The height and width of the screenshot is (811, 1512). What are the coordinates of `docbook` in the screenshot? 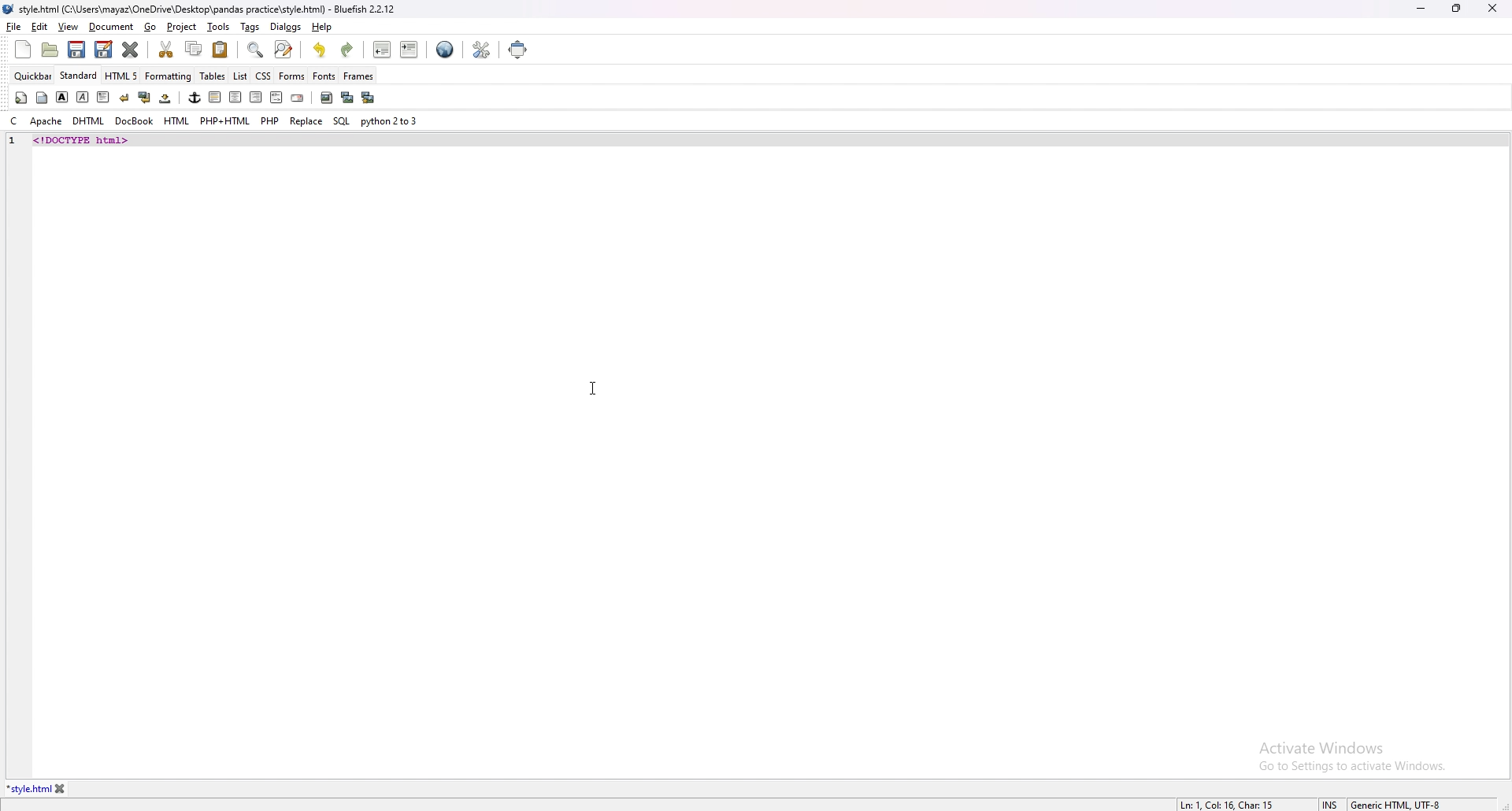 It's located at (134, 121).